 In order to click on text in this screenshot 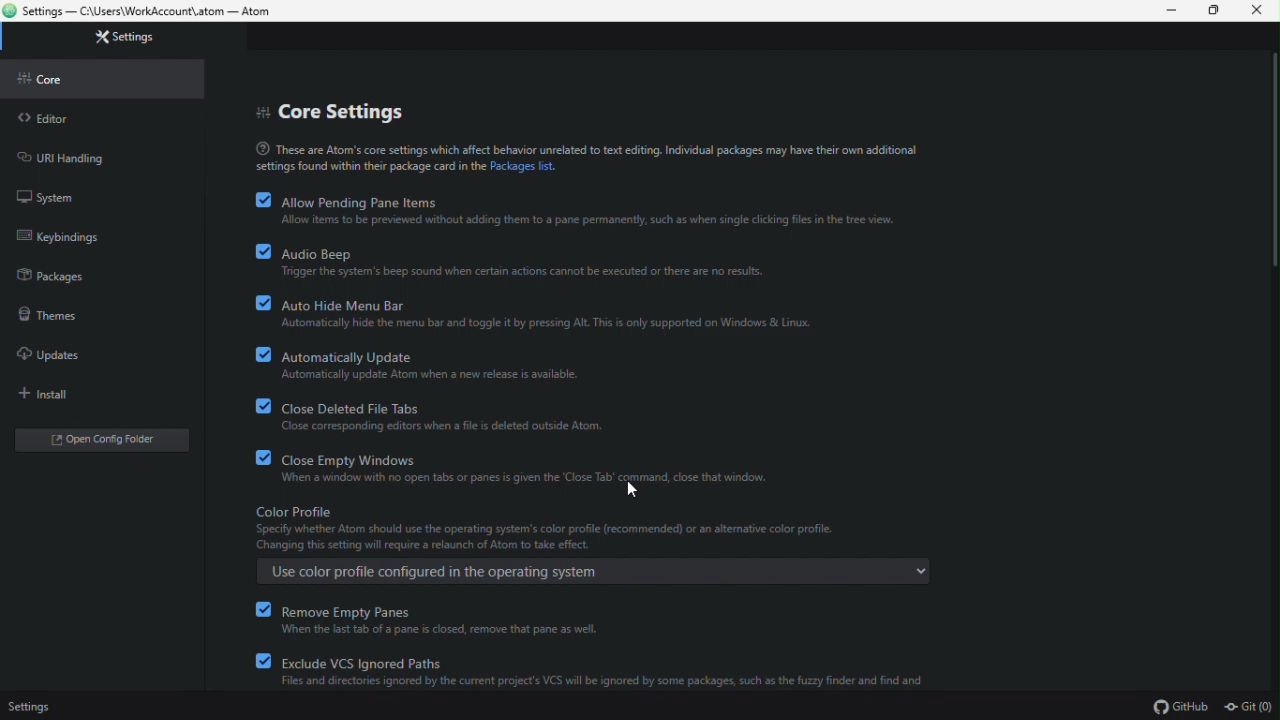, I will do `click(586, 155)`.